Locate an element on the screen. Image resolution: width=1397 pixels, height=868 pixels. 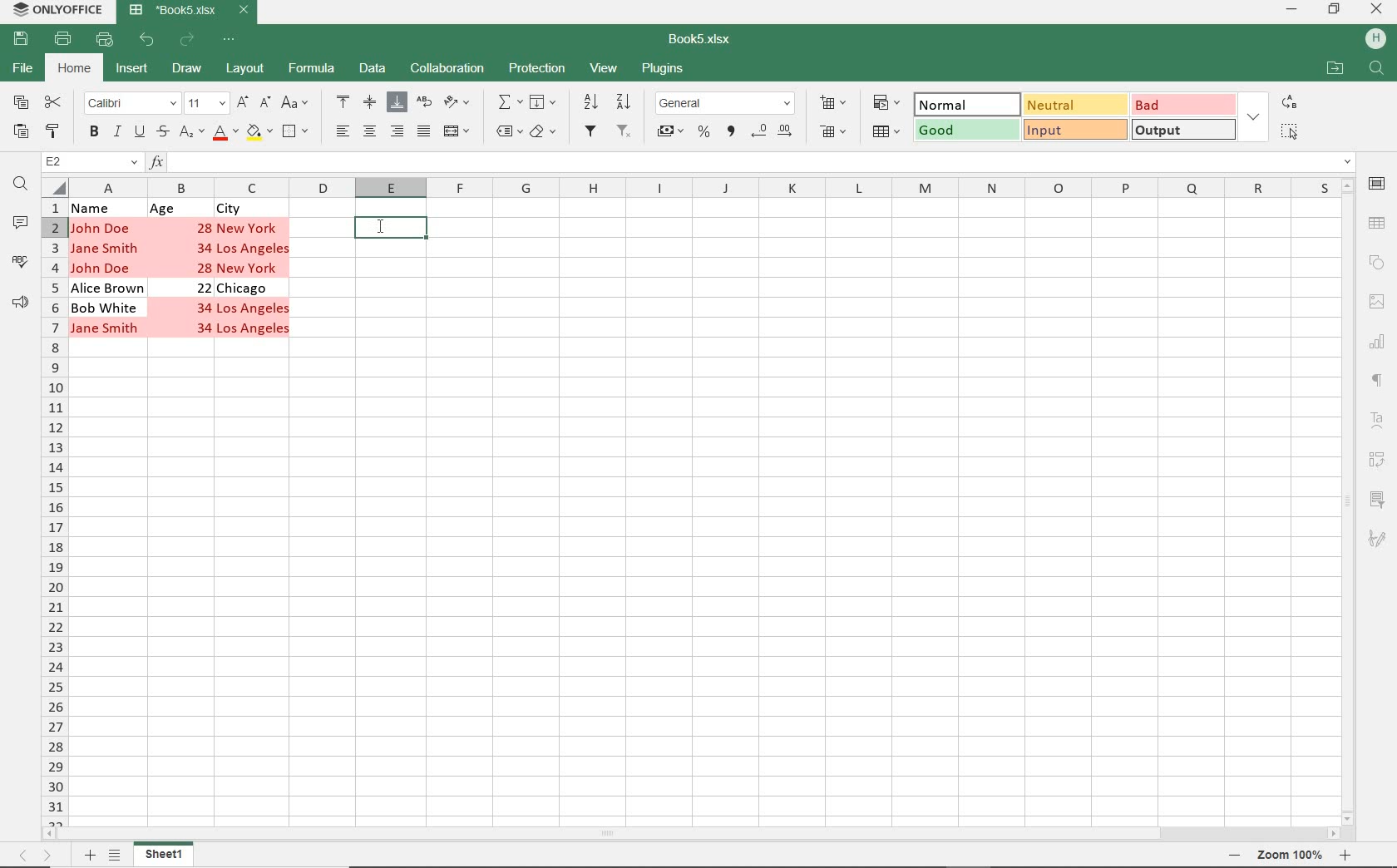
FIND is located at coordinates (1378, 71).